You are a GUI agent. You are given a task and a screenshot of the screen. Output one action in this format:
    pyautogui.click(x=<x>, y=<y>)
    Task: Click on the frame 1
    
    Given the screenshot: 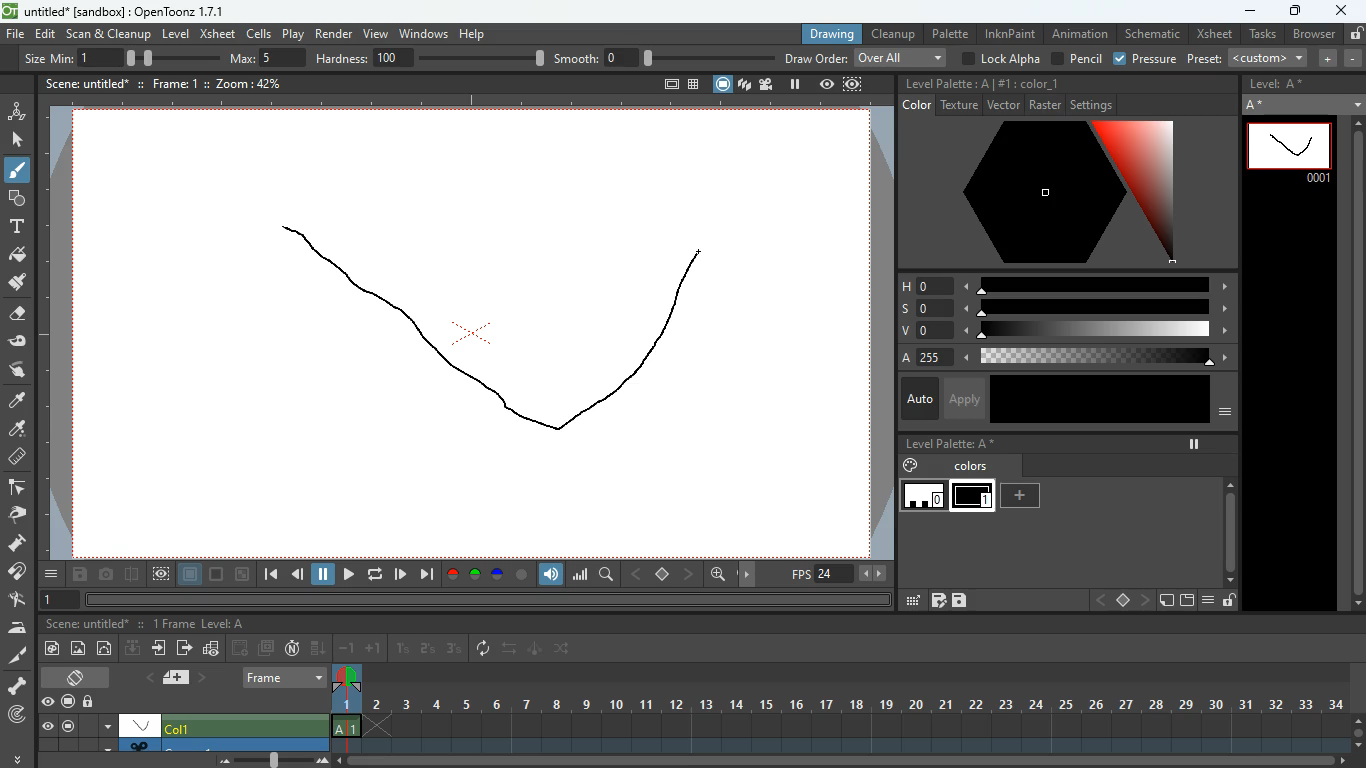 What is the action you would take?
    pyautogui.click(x=973, y=498)
    